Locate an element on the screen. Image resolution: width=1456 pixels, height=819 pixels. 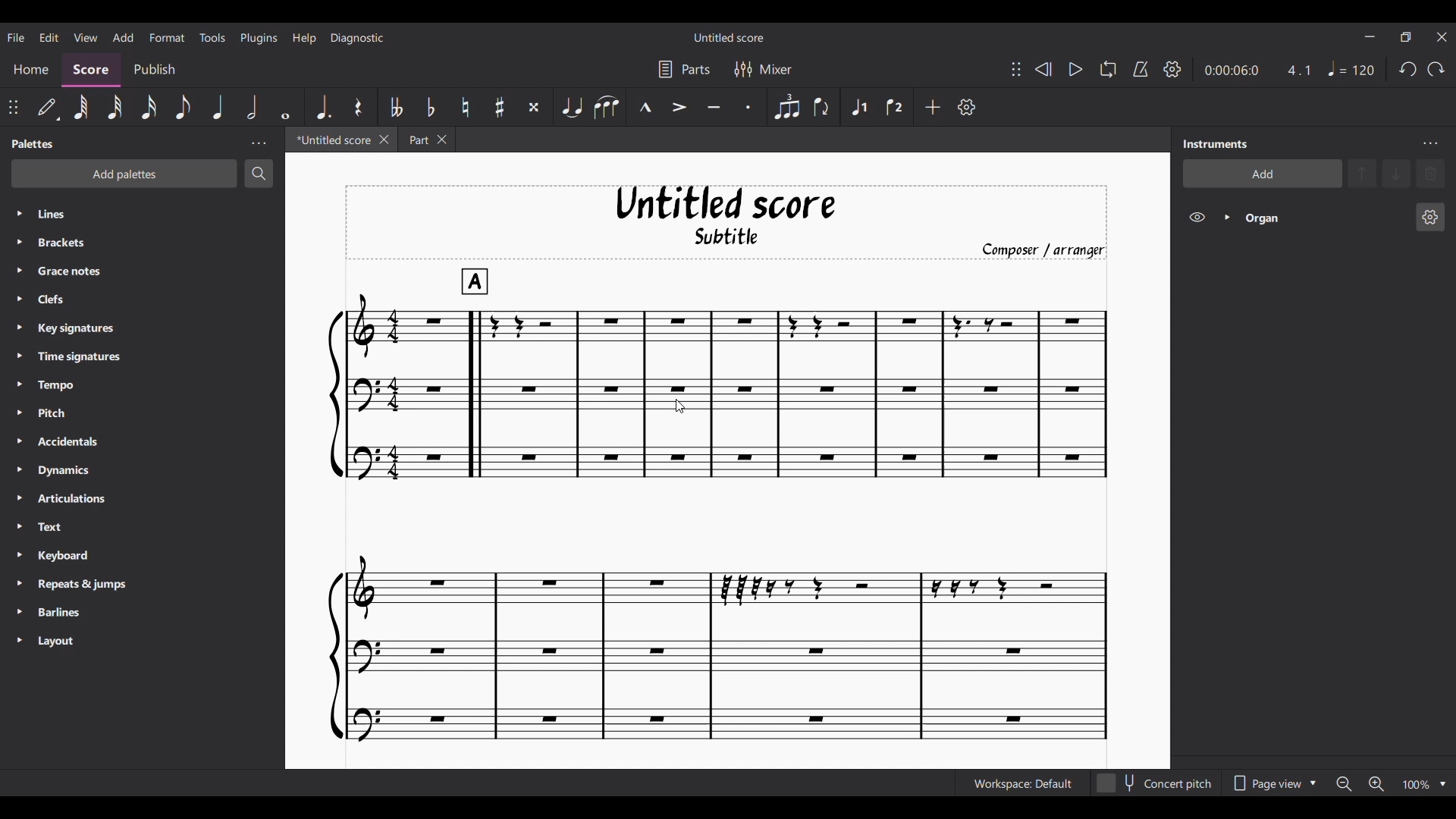
Format menu is located at coordinates (168, 37).